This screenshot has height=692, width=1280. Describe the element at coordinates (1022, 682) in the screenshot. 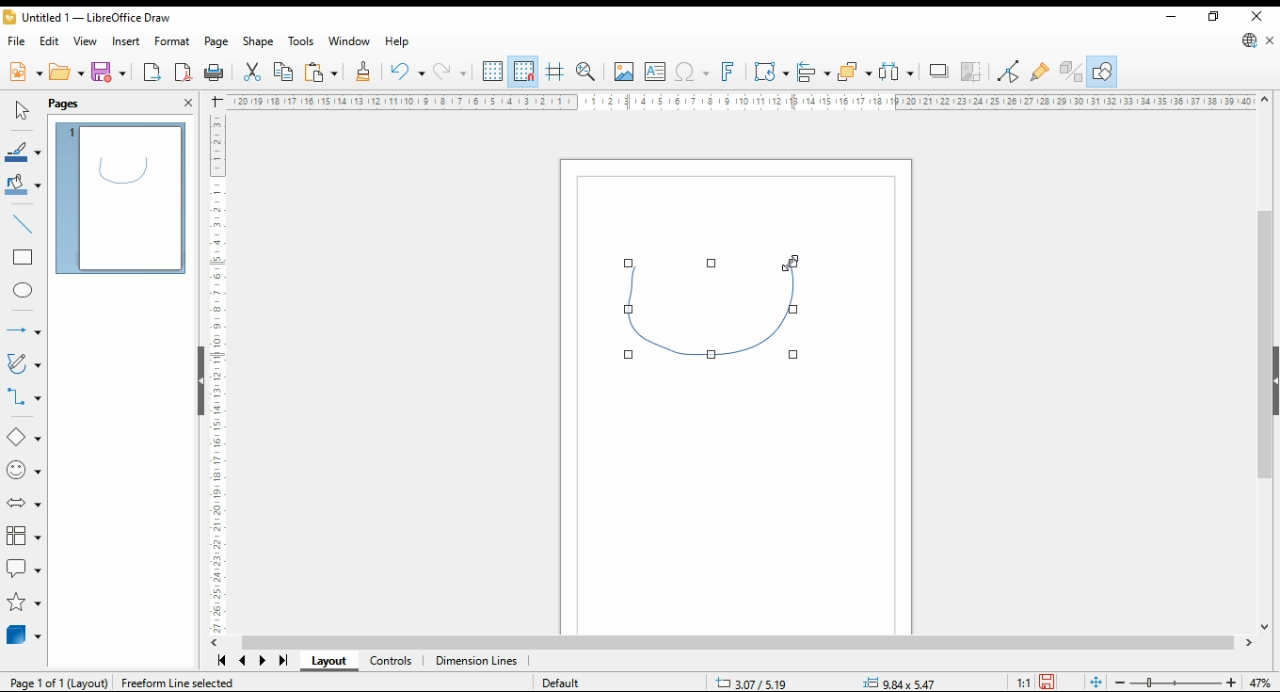

I see `1:1` at that location.